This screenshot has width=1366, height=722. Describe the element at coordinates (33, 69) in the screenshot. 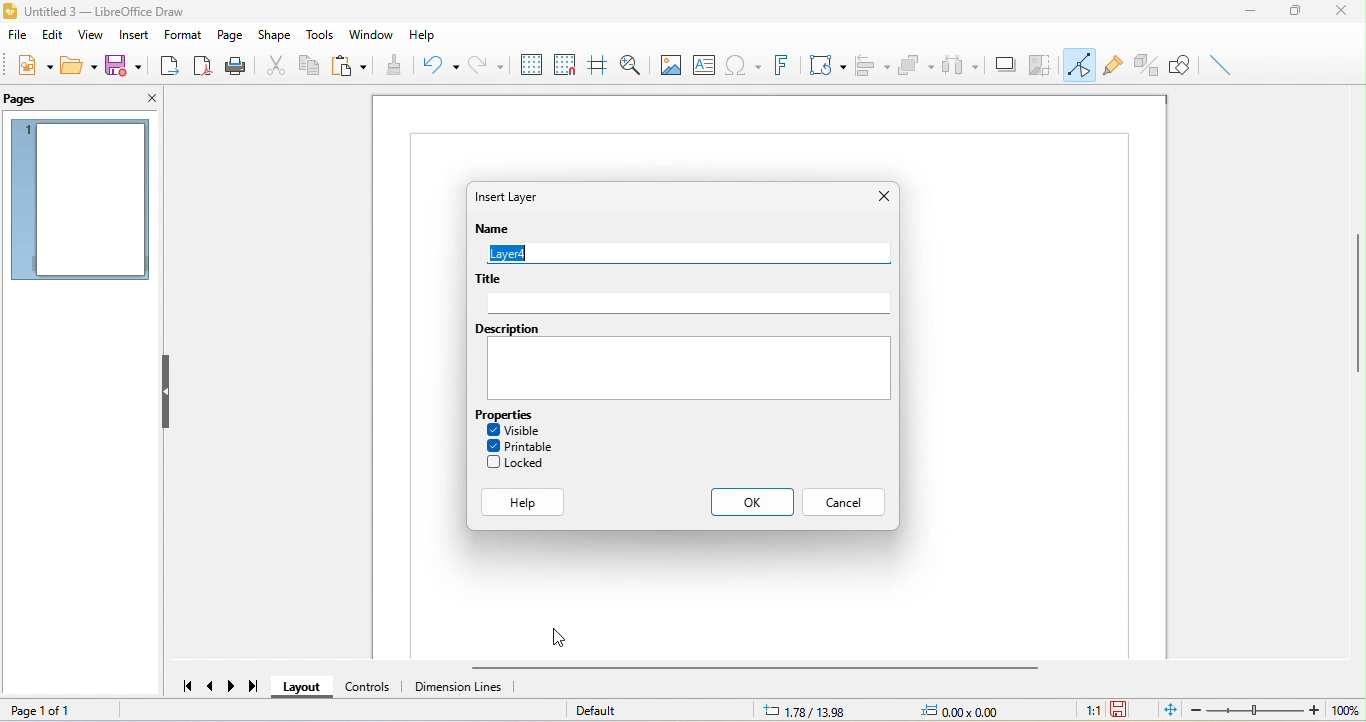

I see `new` at that location.